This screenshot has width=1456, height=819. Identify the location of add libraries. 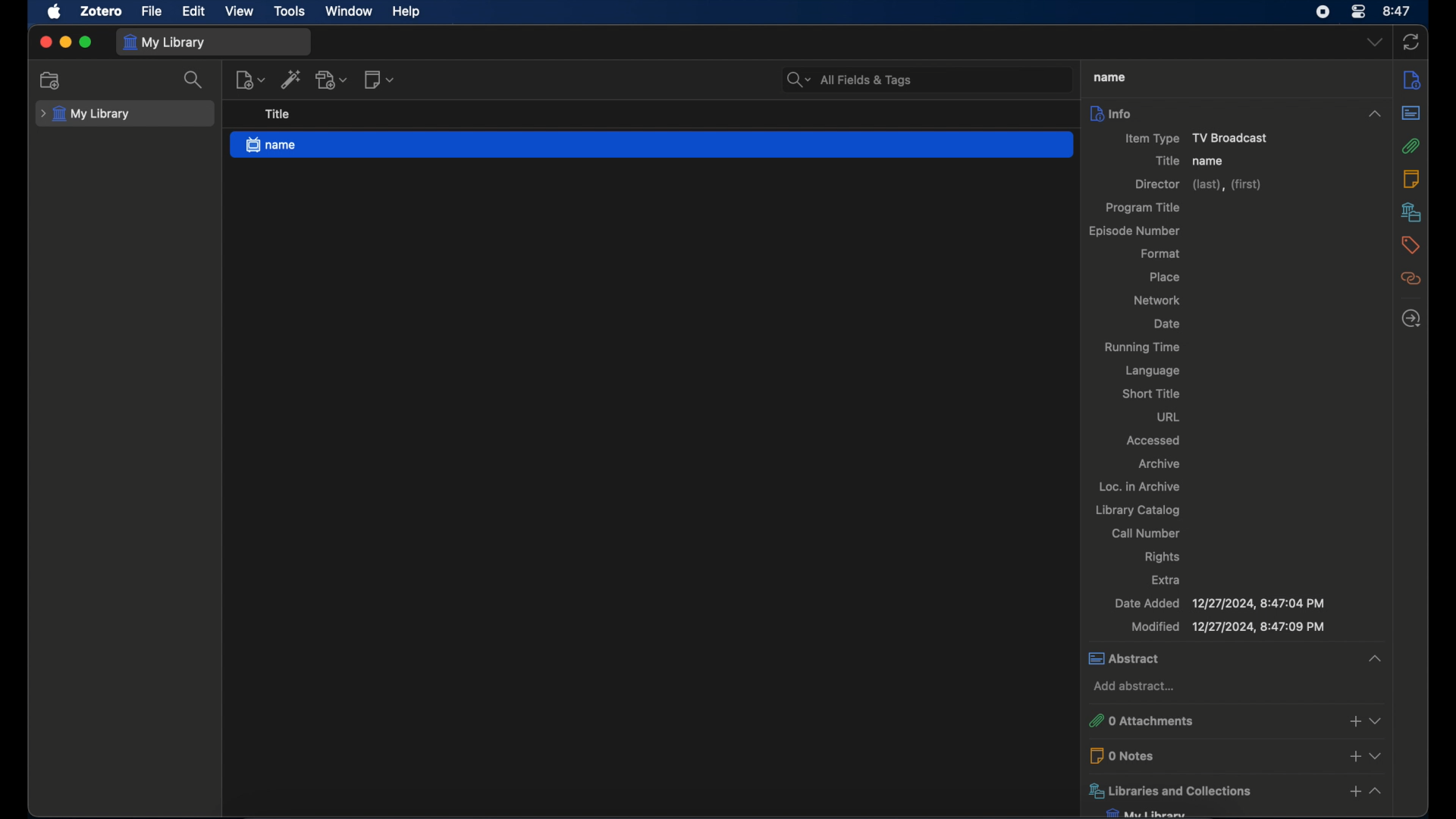
(1354, 793).